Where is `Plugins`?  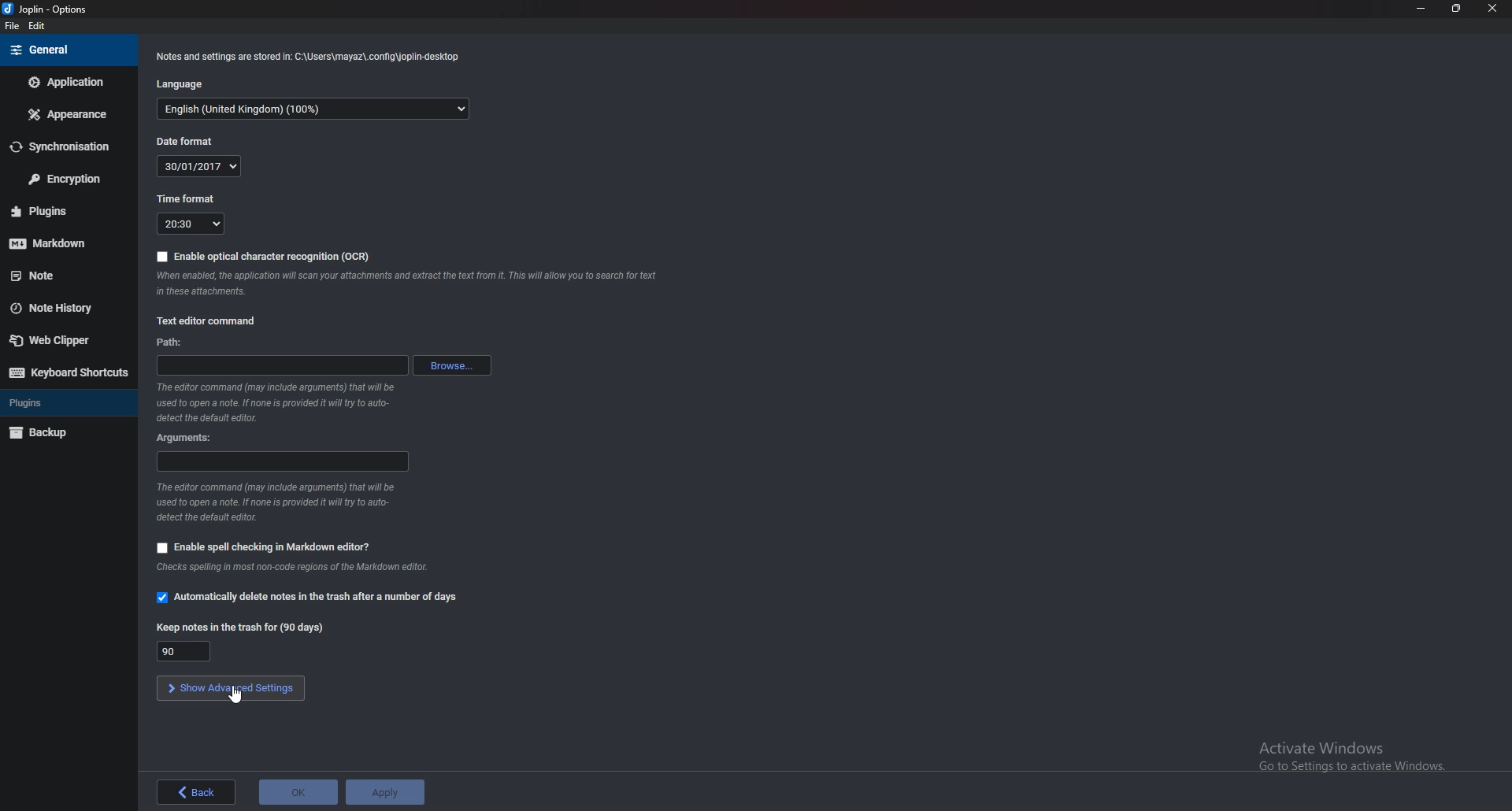
Plugins is located at coordinates (66, 402).